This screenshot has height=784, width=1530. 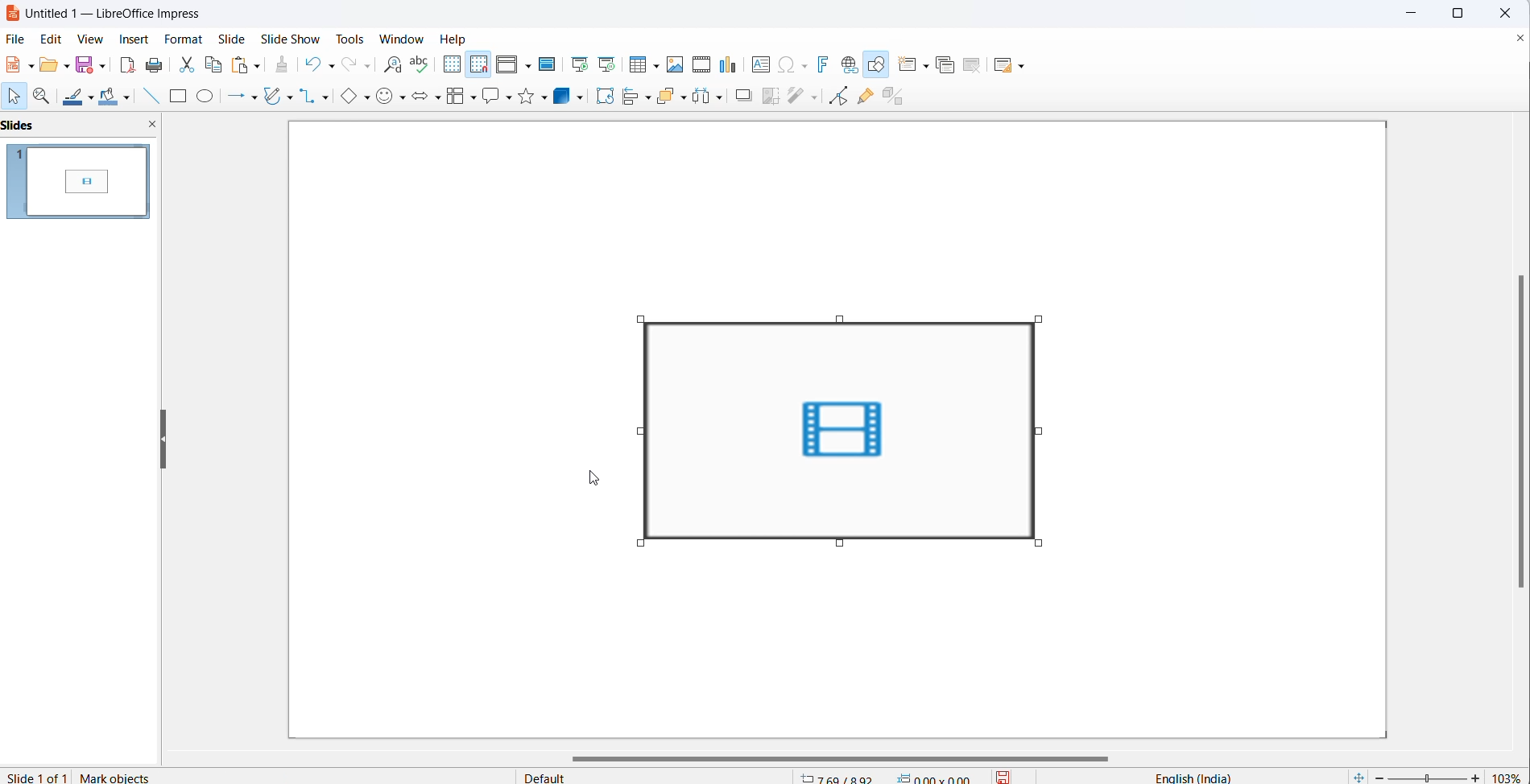 What do you see at coordinates (118, 14) in the screenshot?
I see `file title` at bounding box center [118, 14].